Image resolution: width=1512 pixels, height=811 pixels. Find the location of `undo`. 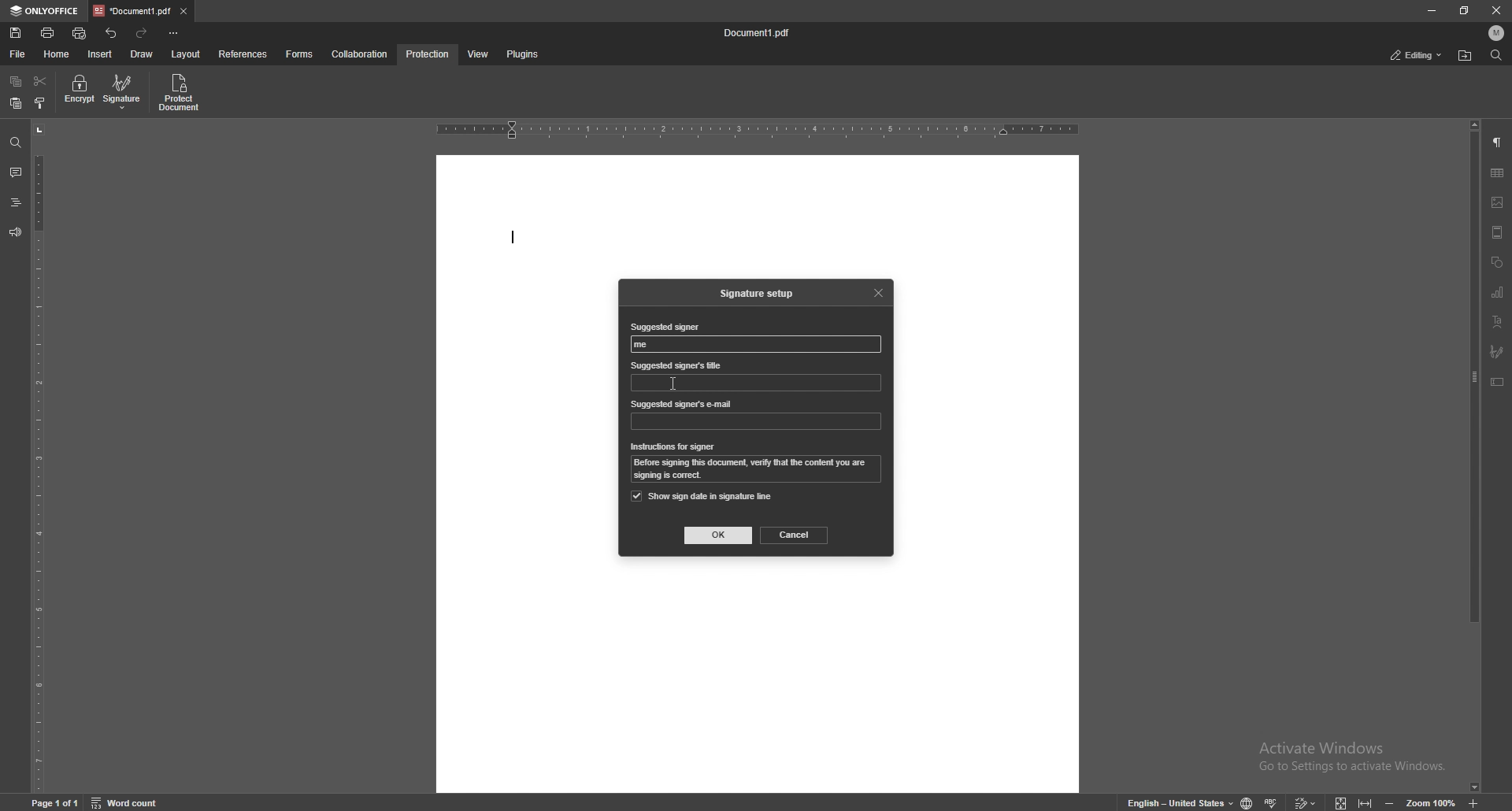

undo is located at coordinates (113, 33).